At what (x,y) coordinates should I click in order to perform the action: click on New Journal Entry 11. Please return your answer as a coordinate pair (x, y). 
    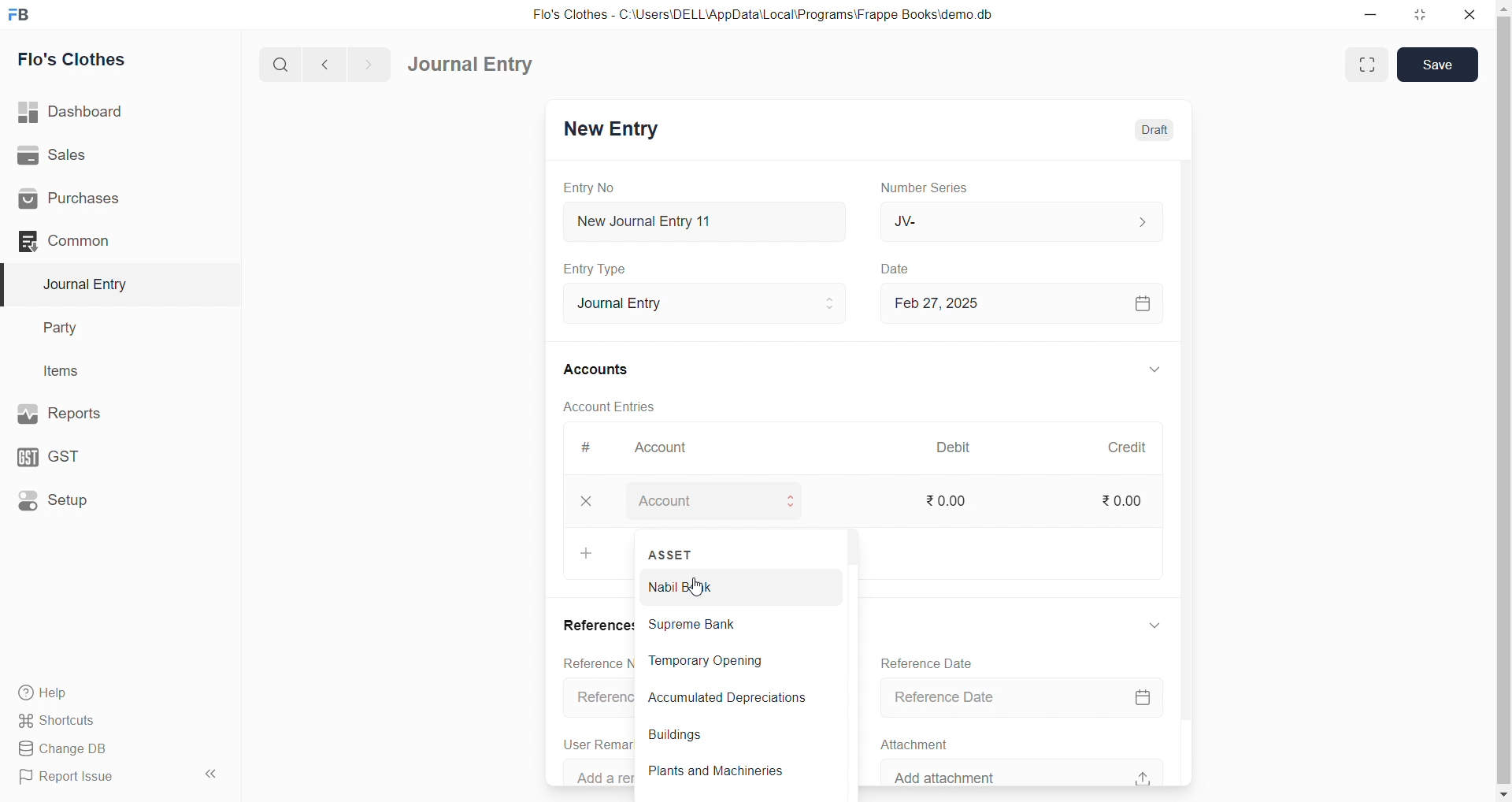
    Looking at the image, I should click on (713, 221).